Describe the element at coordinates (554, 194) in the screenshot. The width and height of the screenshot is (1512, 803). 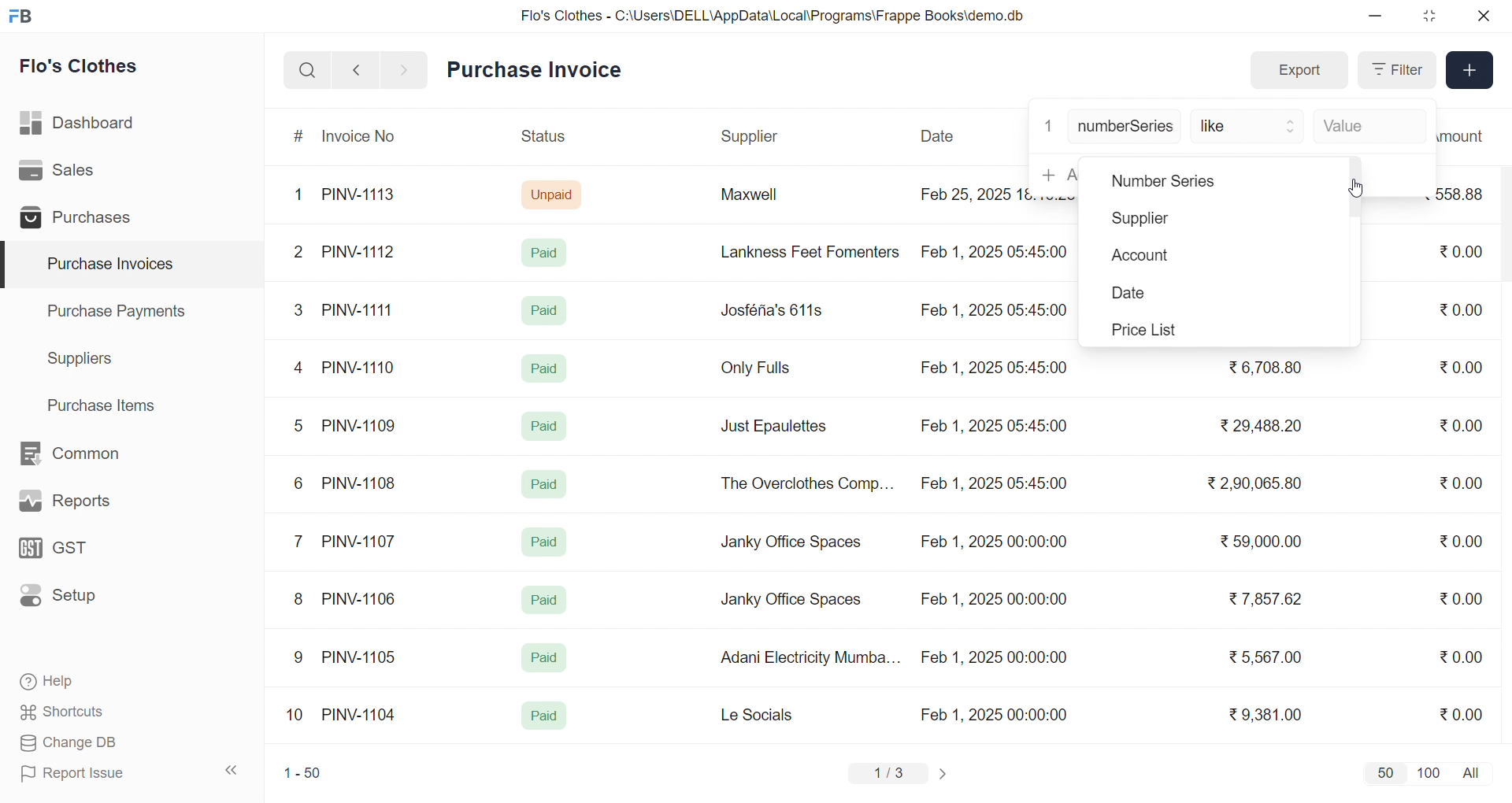
I see `Unpaid` at that location.